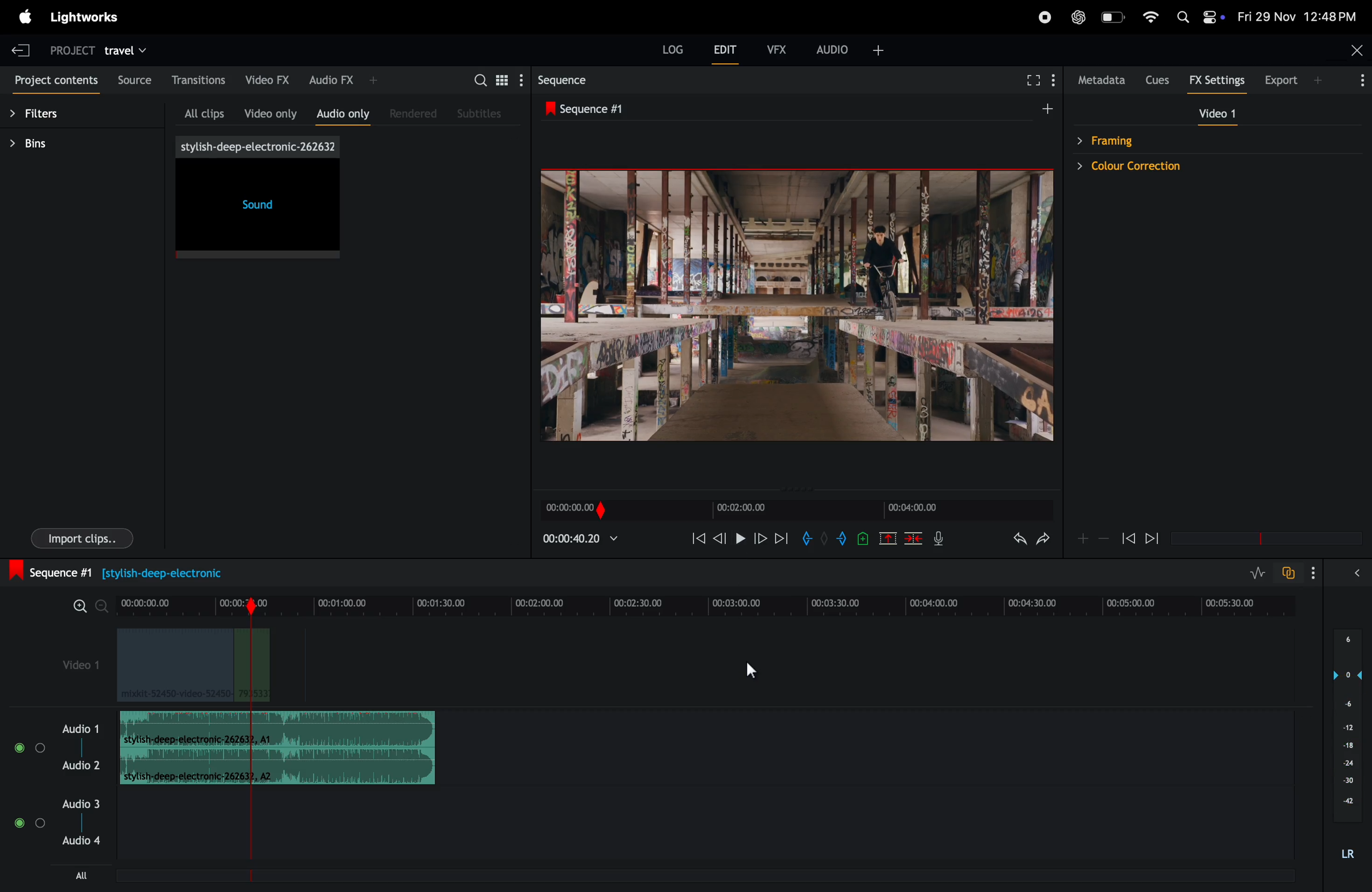 This screenshot has height=892, width=1372. I want to click on search, so click(479, 78).